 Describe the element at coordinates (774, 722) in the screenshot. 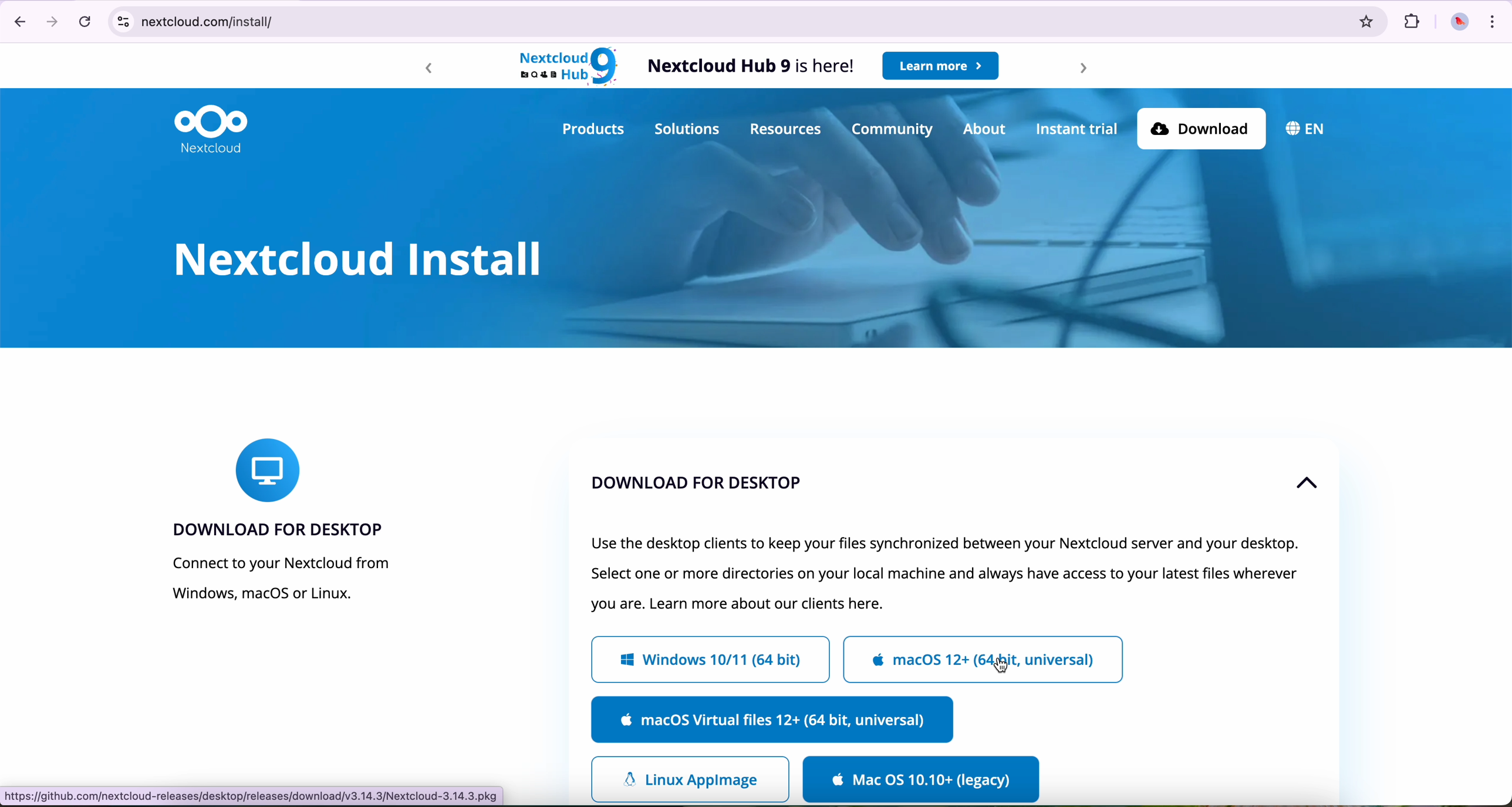

I see `MacOs Virtual files 12+ (64 bit, universal)` at that location.